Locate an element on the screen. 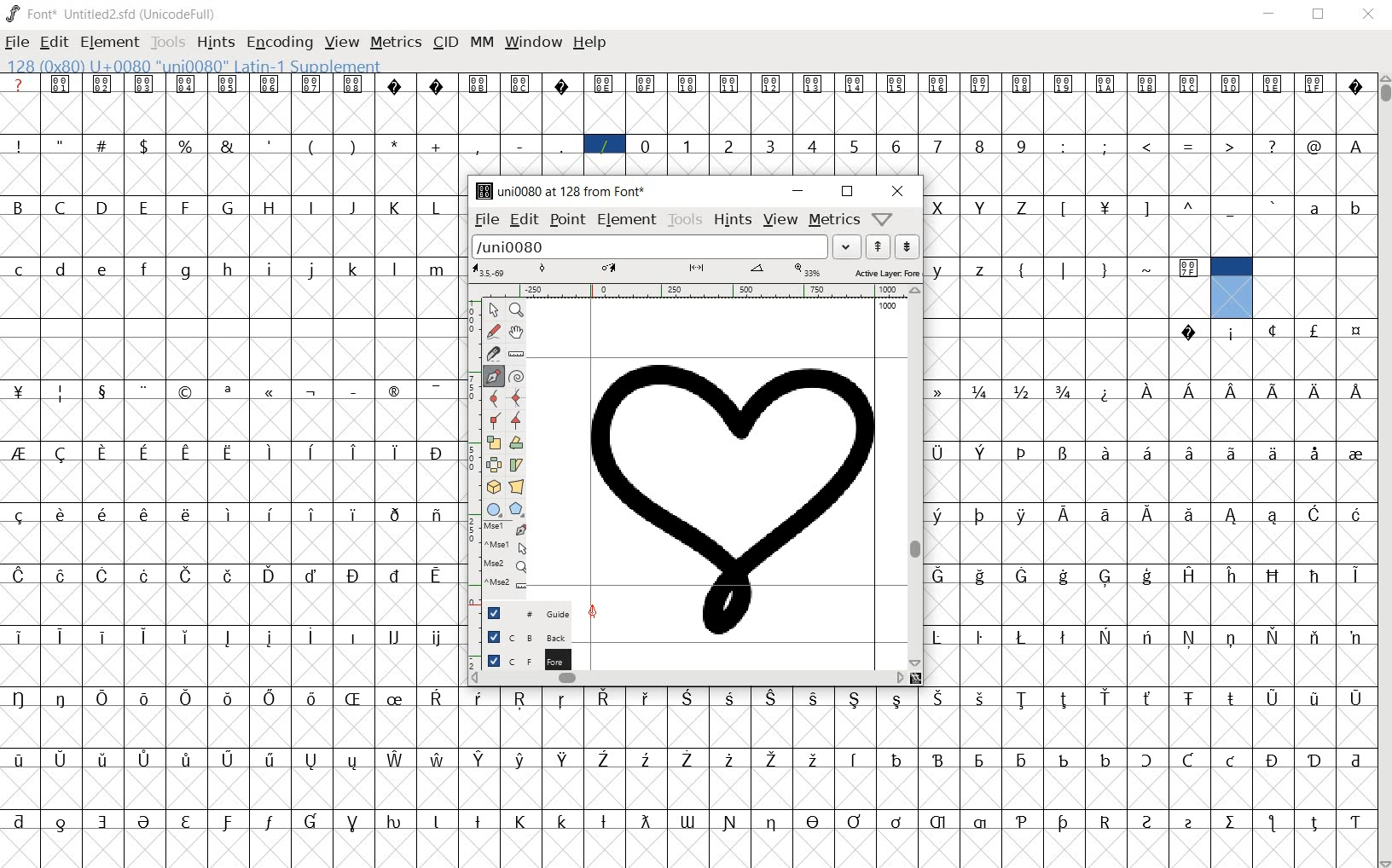 This screenshot has width=1392, height=868. glyph is located at coordinates (270, 822).